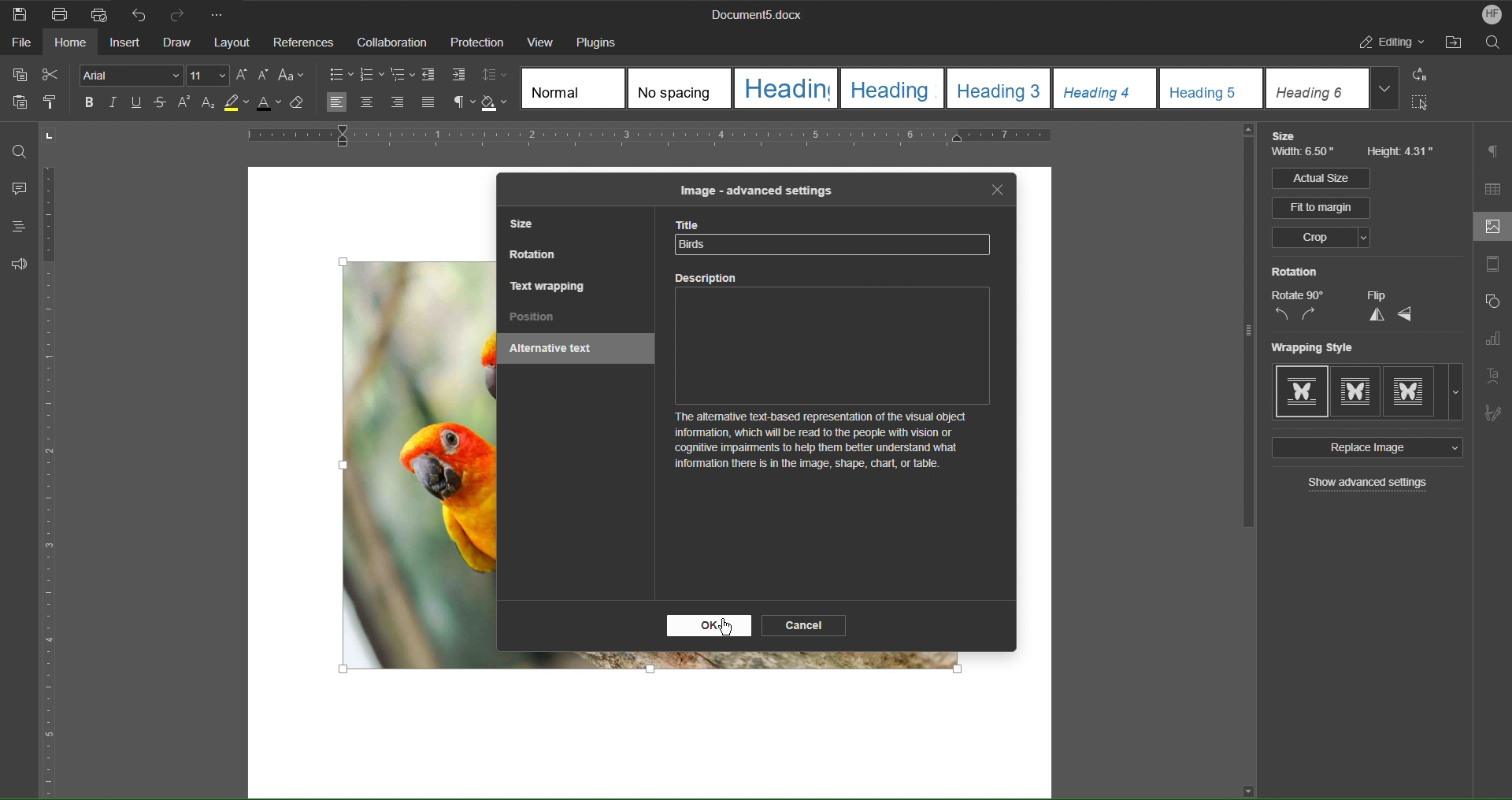 The image size is (1512, 800). I want to click on Erase Style, so click(306, 107).